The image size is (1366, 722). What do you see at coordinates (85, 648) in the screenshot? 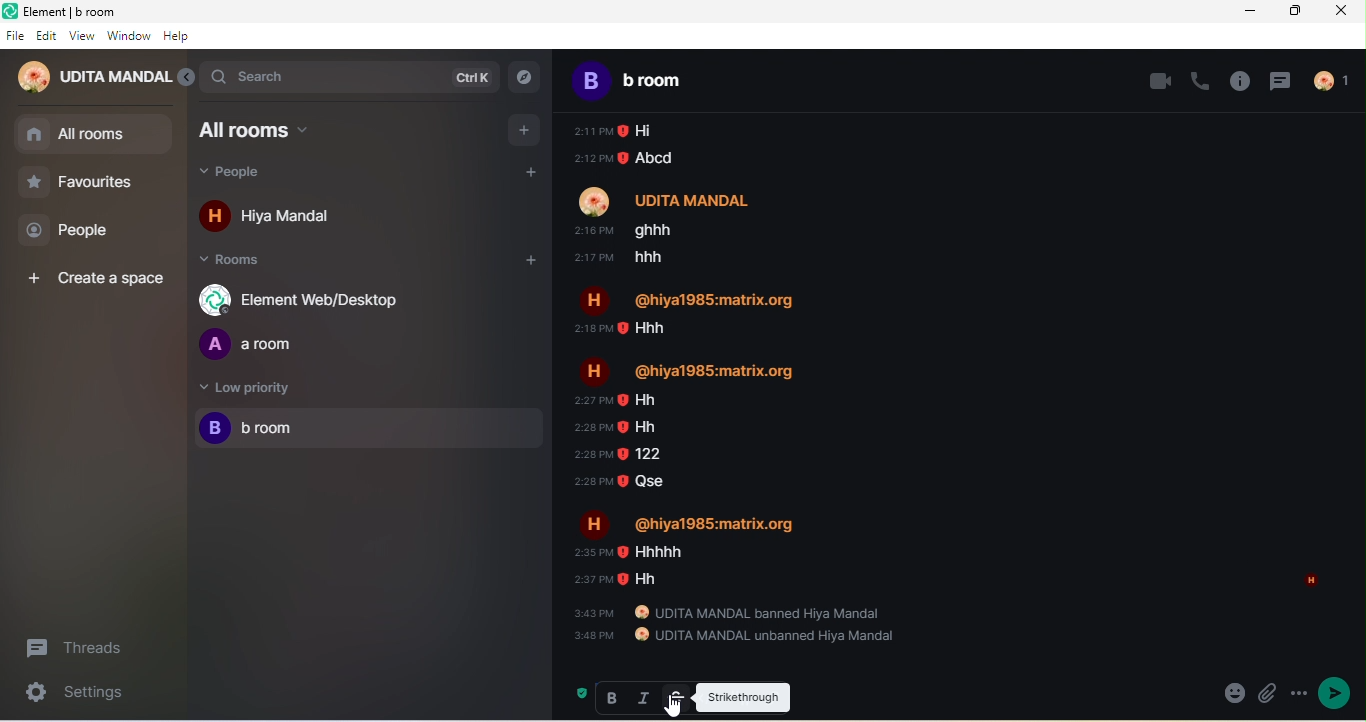
I see `threads` at bounding box center [85, 648].